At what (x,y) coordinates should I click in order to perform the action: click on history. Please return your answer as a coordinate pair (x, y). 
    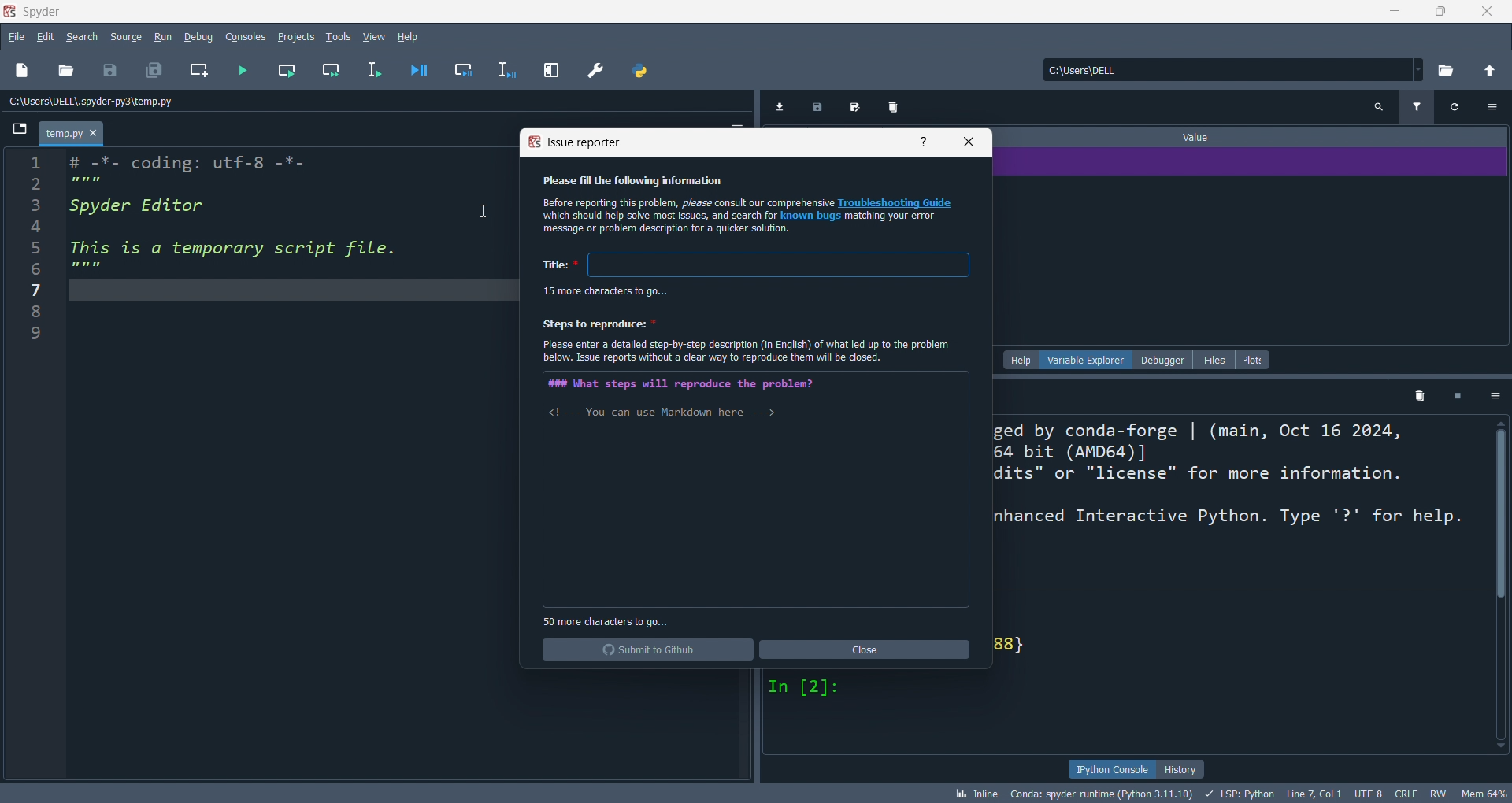
    Looking at the image, I should click on (1182, 768).